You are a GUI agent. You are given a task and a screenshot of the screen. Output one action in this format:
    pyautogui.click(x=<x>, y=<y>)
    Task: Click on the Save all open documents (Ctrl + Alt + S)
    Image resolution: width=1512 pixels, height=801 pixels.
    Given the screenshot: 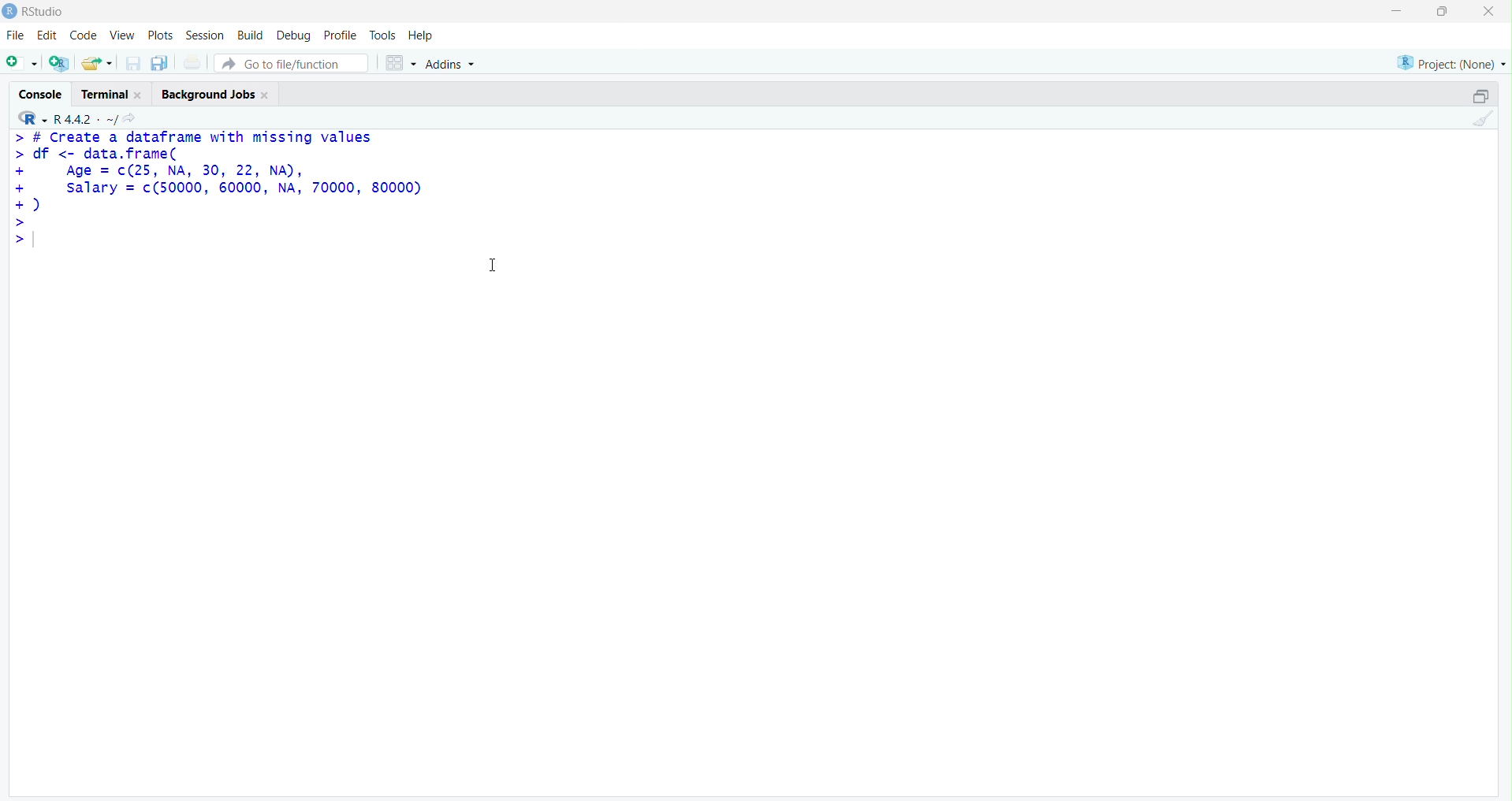 What is the action you would take?
    pyautogui.click(x=159, y=61)
    